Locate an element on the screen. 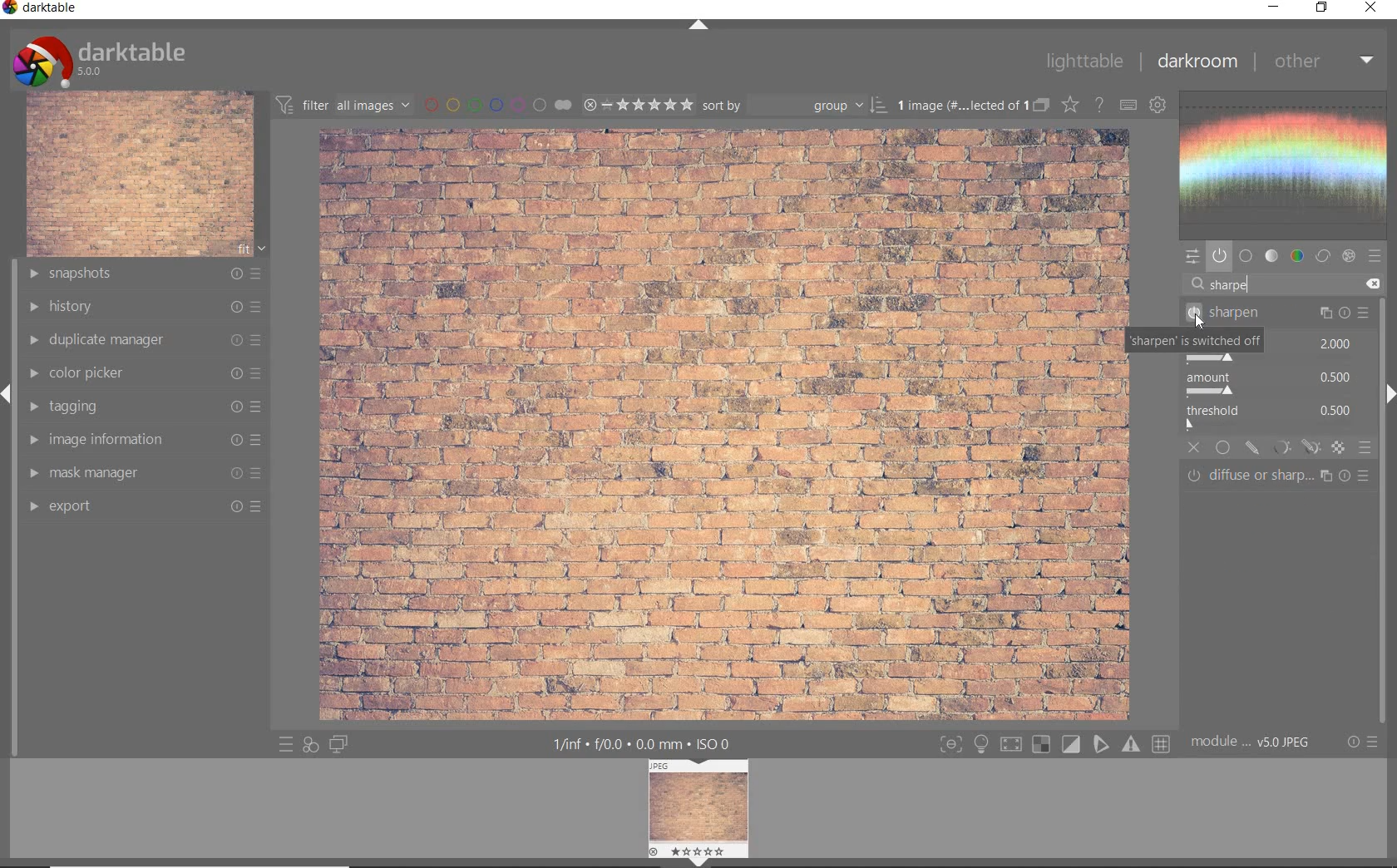 The width and height of the screenshot is (1397, 868). quick access to preset is located at coordinates (283, 744).